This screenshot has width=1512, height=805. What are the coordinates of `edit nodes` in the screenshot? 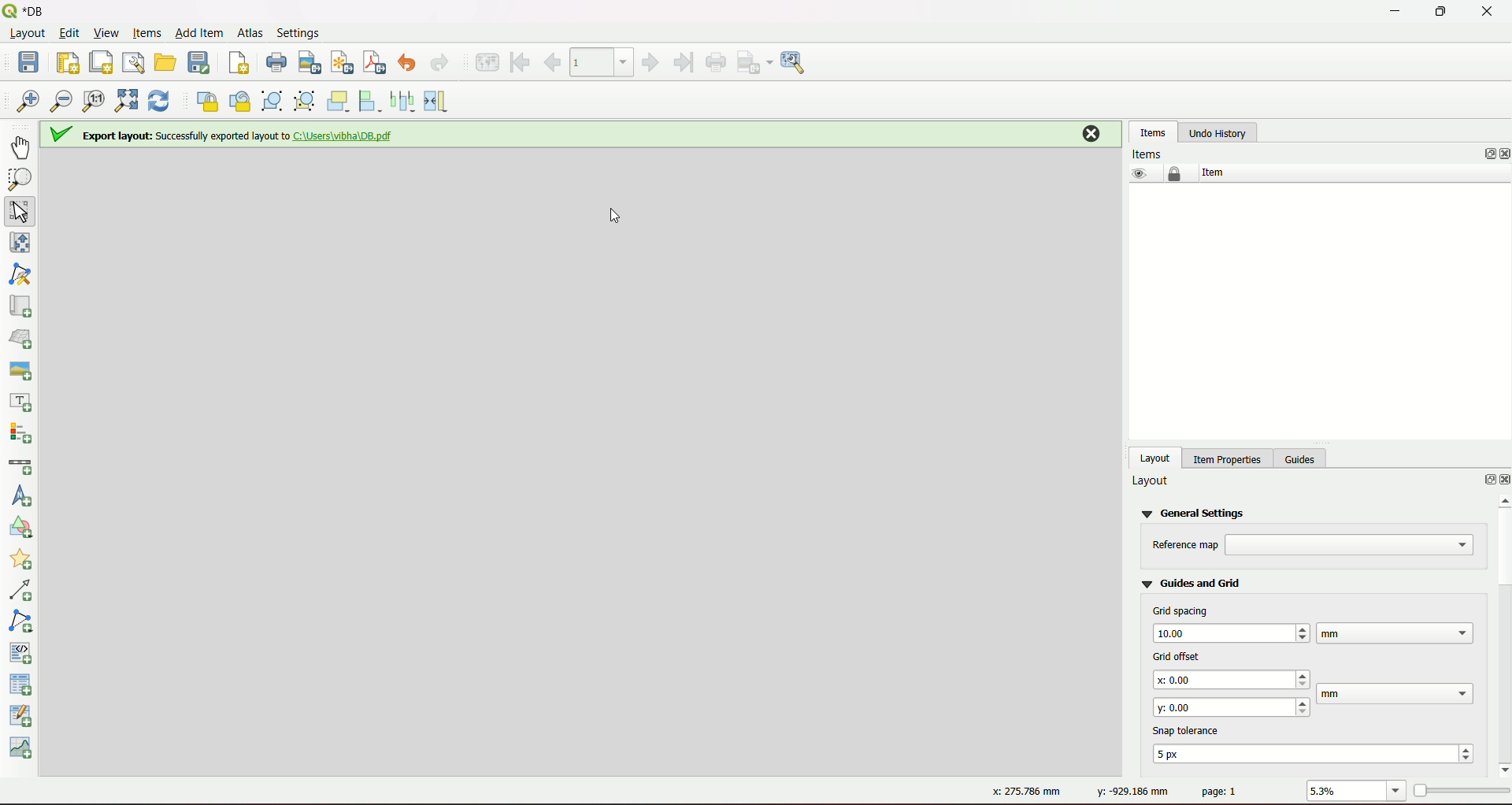 It's located at (23, 276).